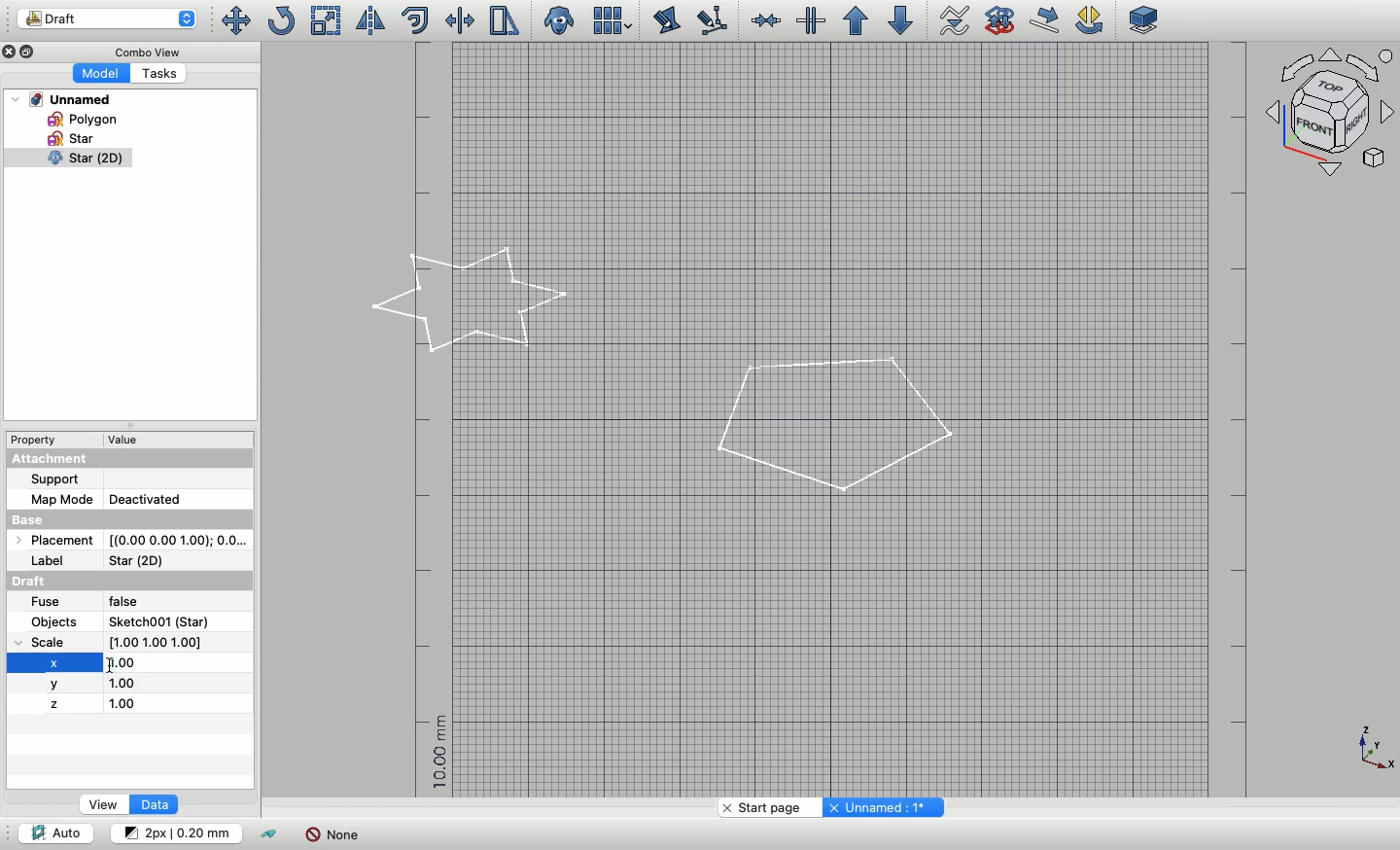 Image resolution: width=1400 pixels, height=850 pixels. I want to click on Y, so click(57, 684).